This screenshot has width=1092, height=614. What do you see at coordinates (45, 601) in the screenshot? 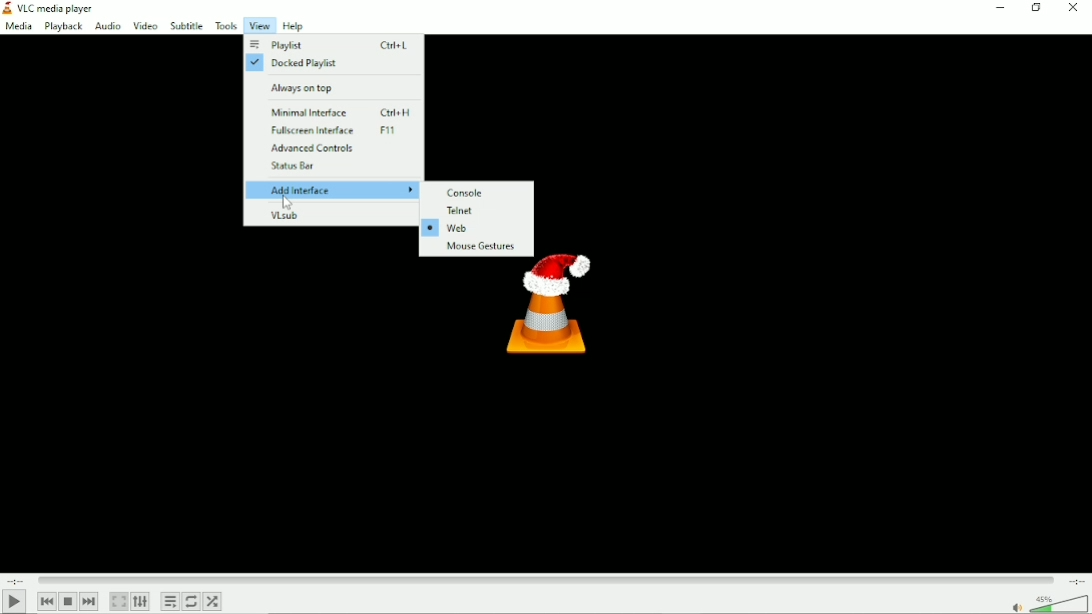
I see `Previous` at bounding box center [45, 601].